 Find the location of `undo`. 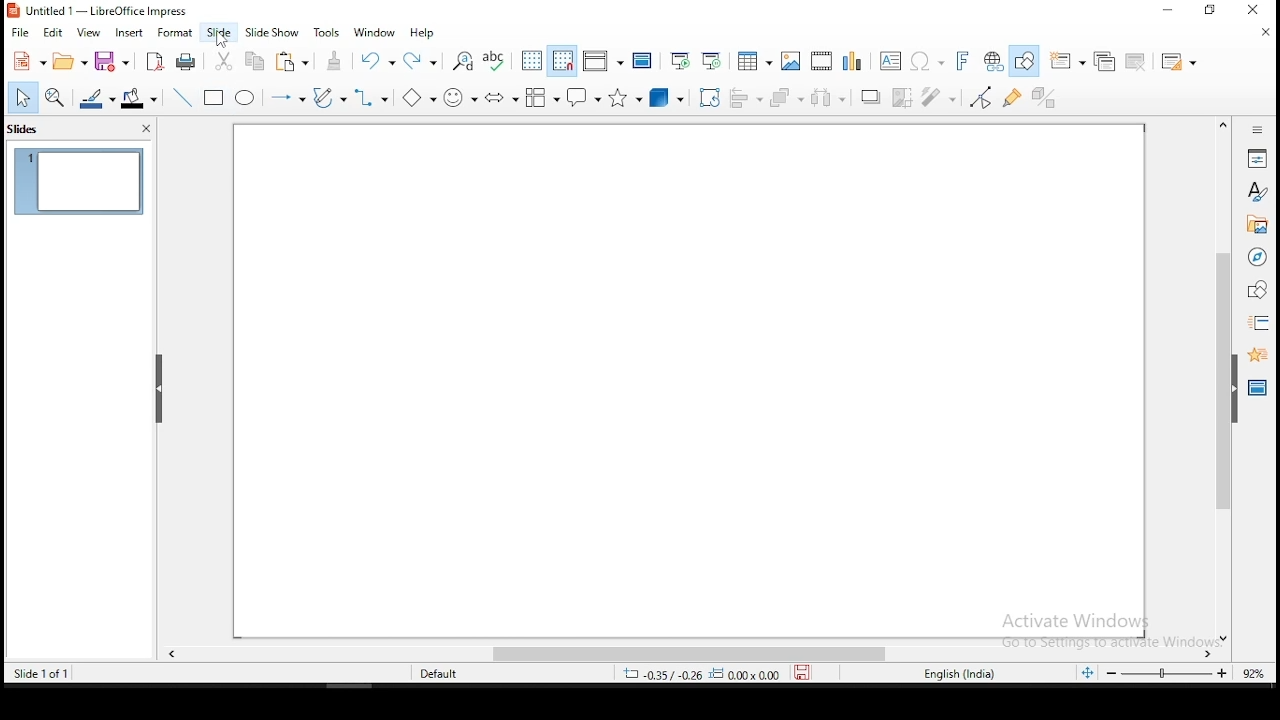

undo is located at coordinates (379, 63).